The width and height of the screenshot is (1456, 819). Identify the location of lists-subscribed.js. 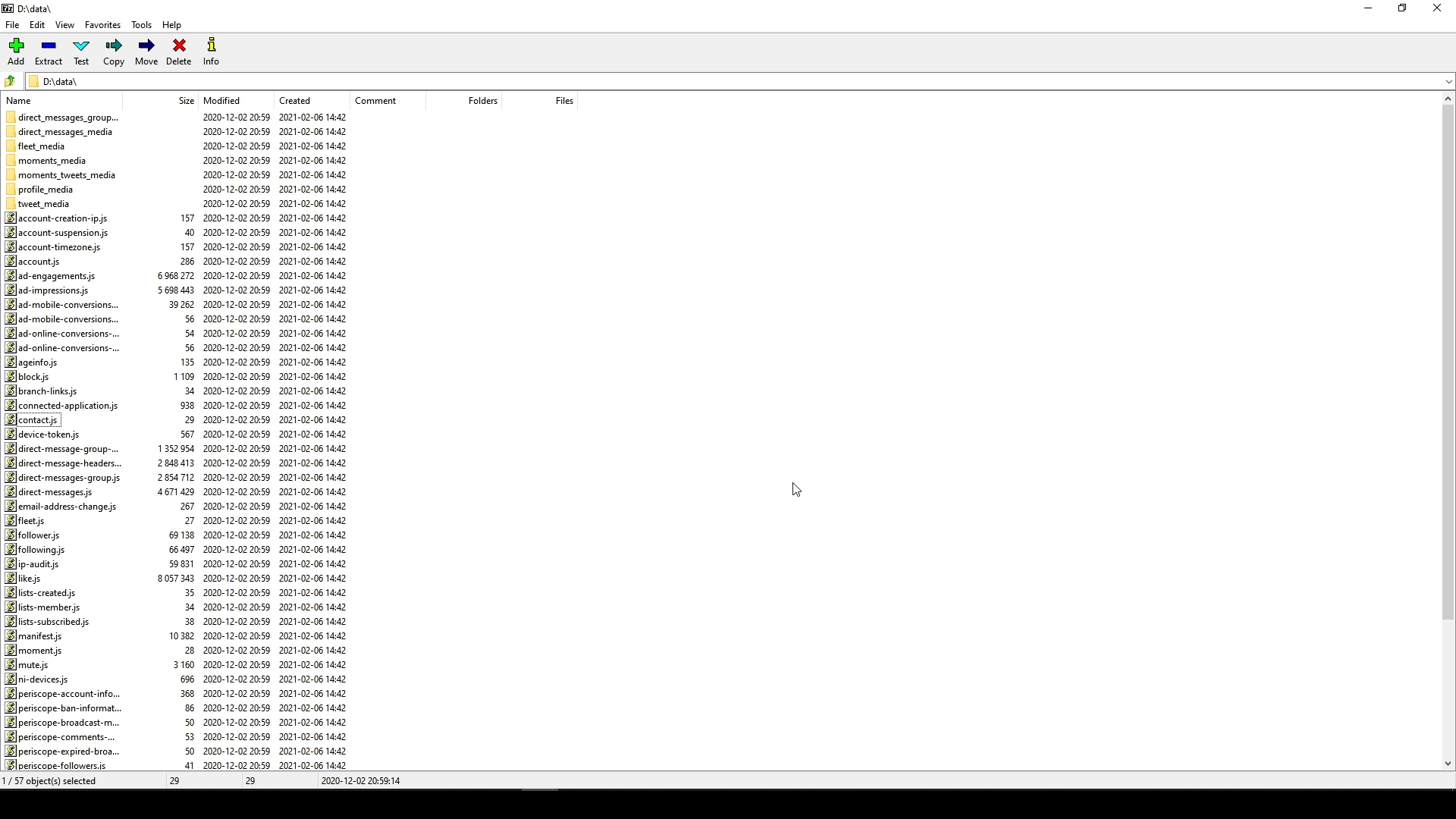
(51, 621).